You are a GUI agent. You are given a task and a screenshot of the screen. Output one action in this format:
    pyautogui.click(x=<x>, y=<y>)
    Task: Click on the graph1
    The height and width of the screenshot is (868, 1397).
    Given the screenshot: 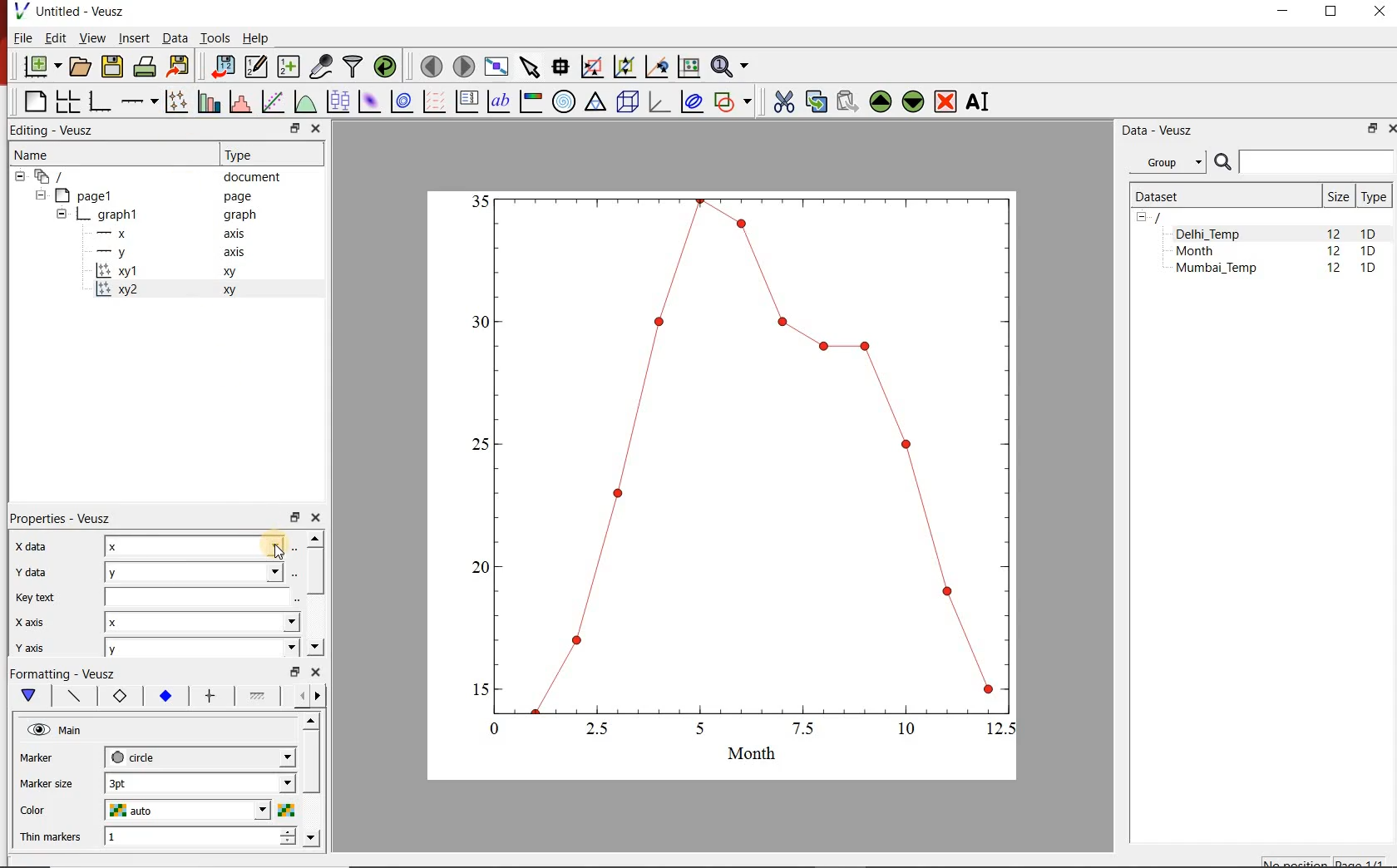 What is the action you would take?
    pyautogui.click(x=158, y=215)
    